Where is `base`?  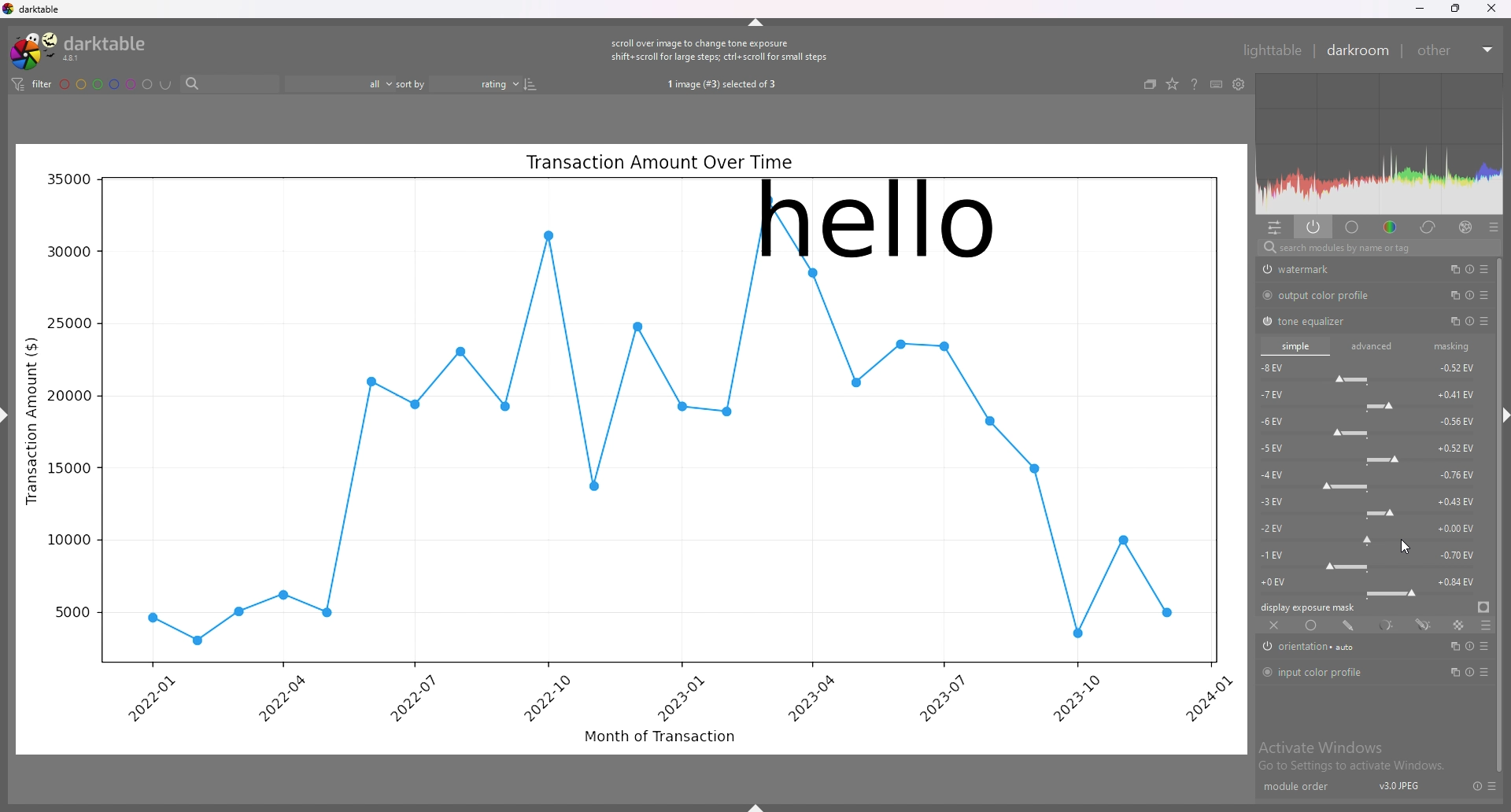
base is located at coordinates (1353, 227).